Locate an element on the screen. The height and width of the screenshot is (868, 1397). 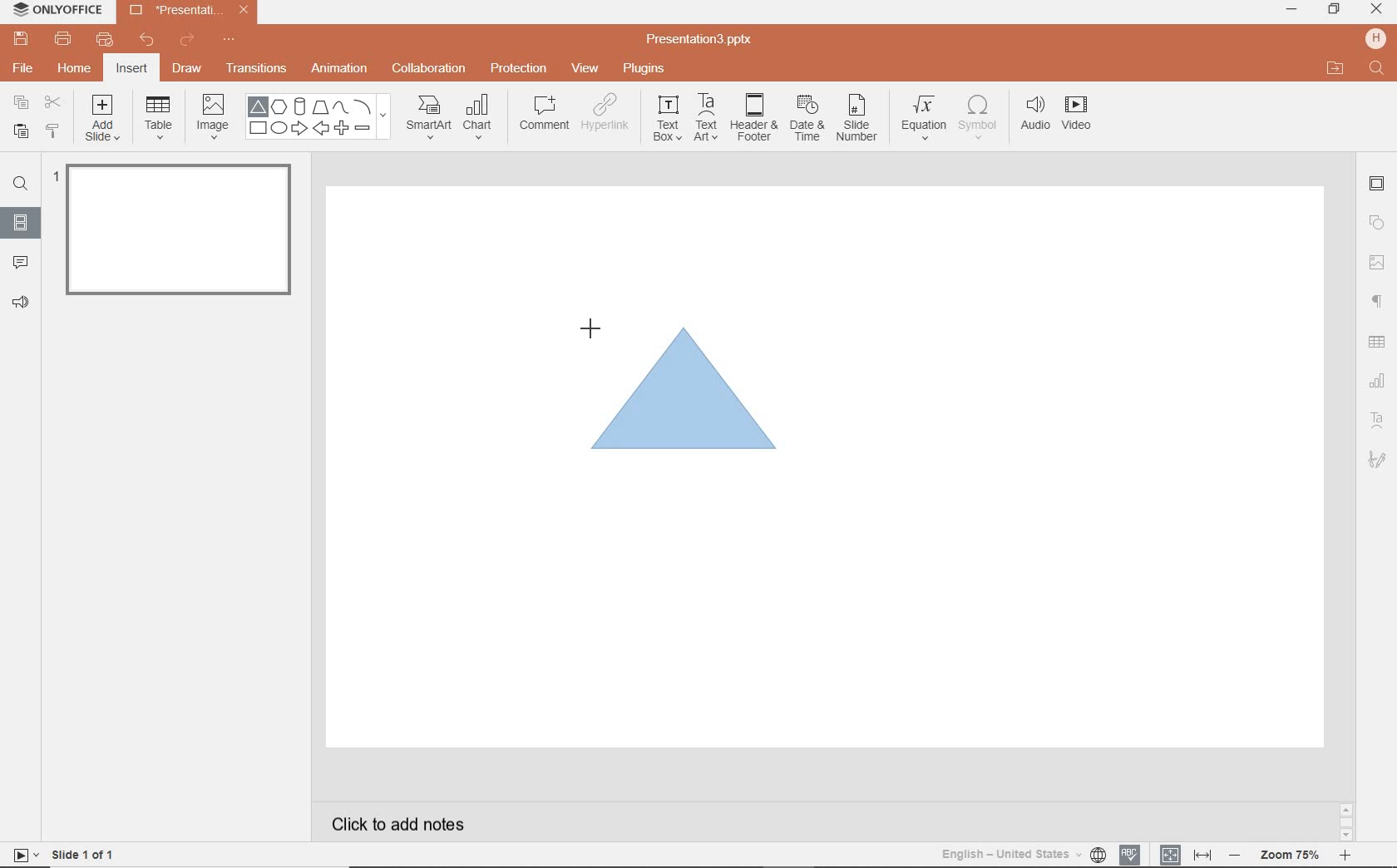
COMMENTS is located at coordinates (20, 261).